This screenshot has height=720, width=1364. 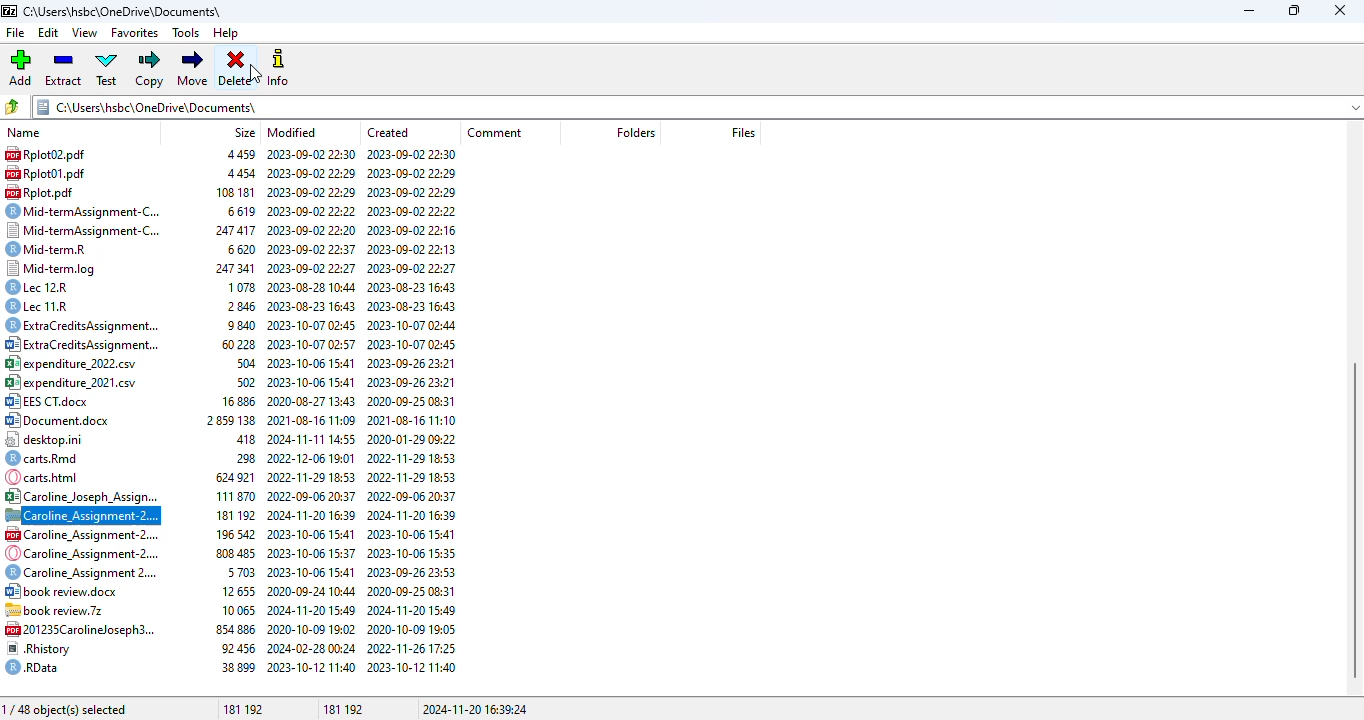 What do you see at coordinates (411, 553) in the screenshot?
I see `2023-10-06 15:35` at bounding box center [411, 553].